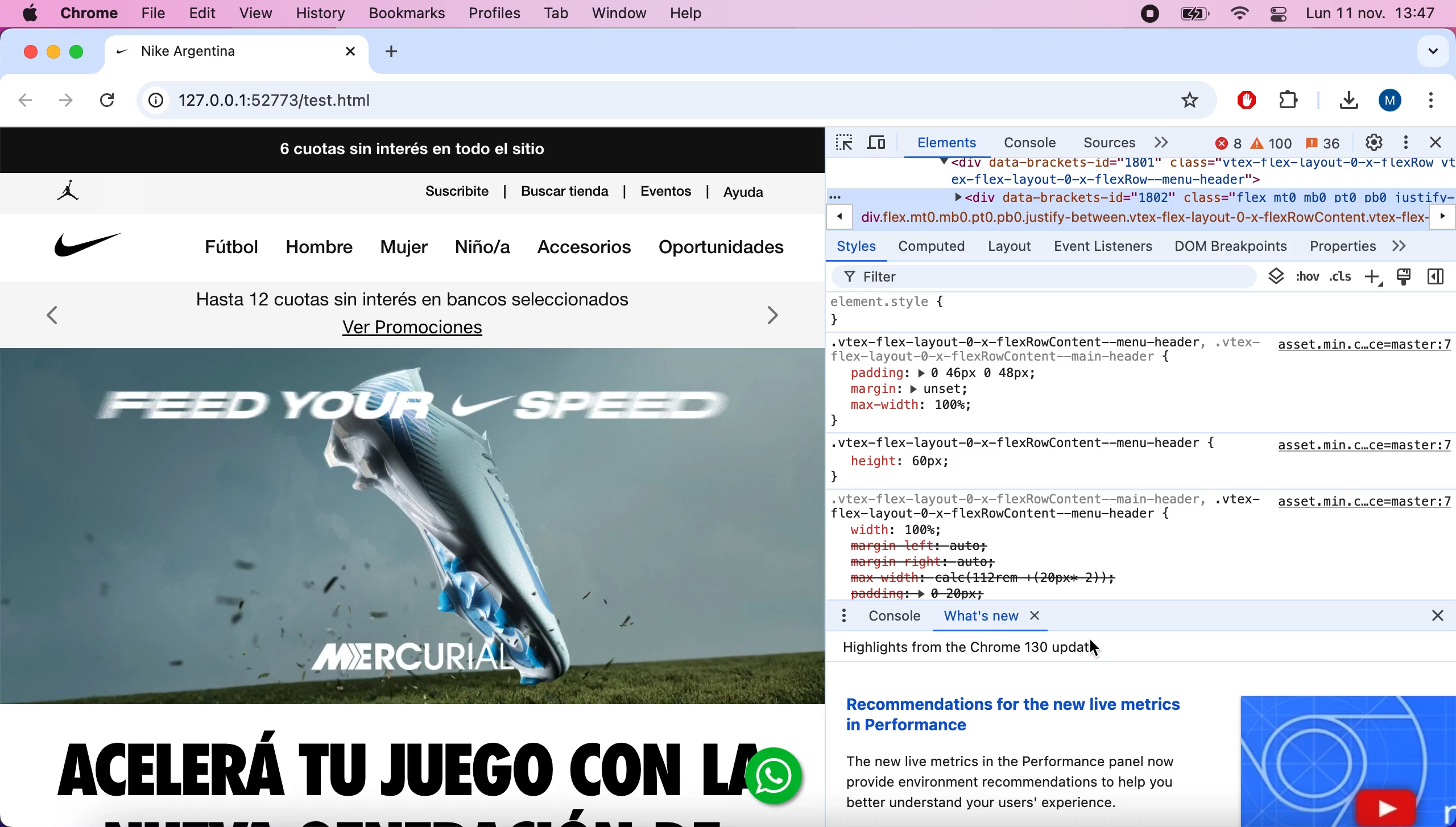  What do you see at coordinates (686, 15) in the screenshot?
I see `Help` at bounding box center [686, 15].